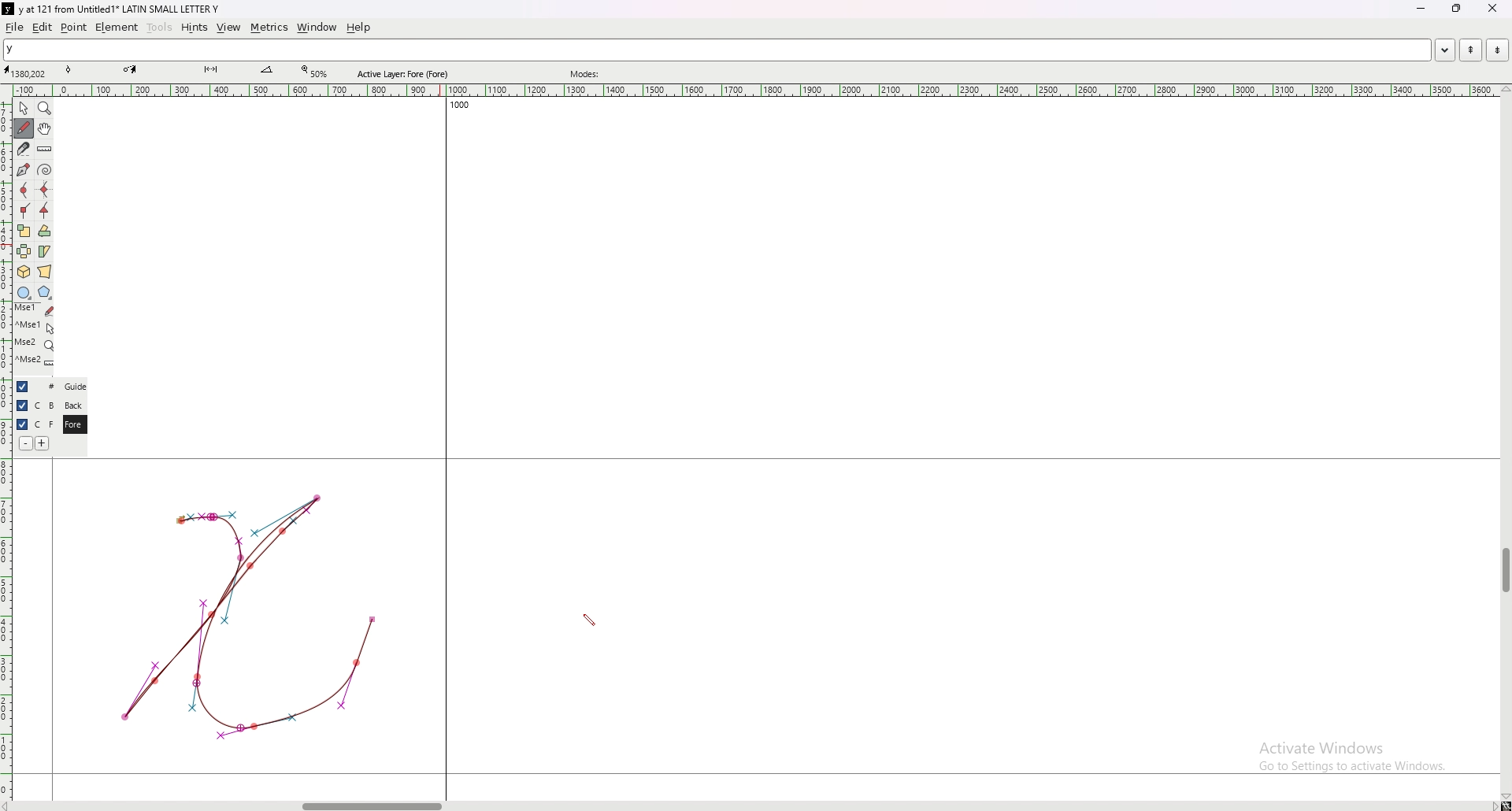 The image size is (1512, 811). I want to click on mse 2, so click(35, 362).